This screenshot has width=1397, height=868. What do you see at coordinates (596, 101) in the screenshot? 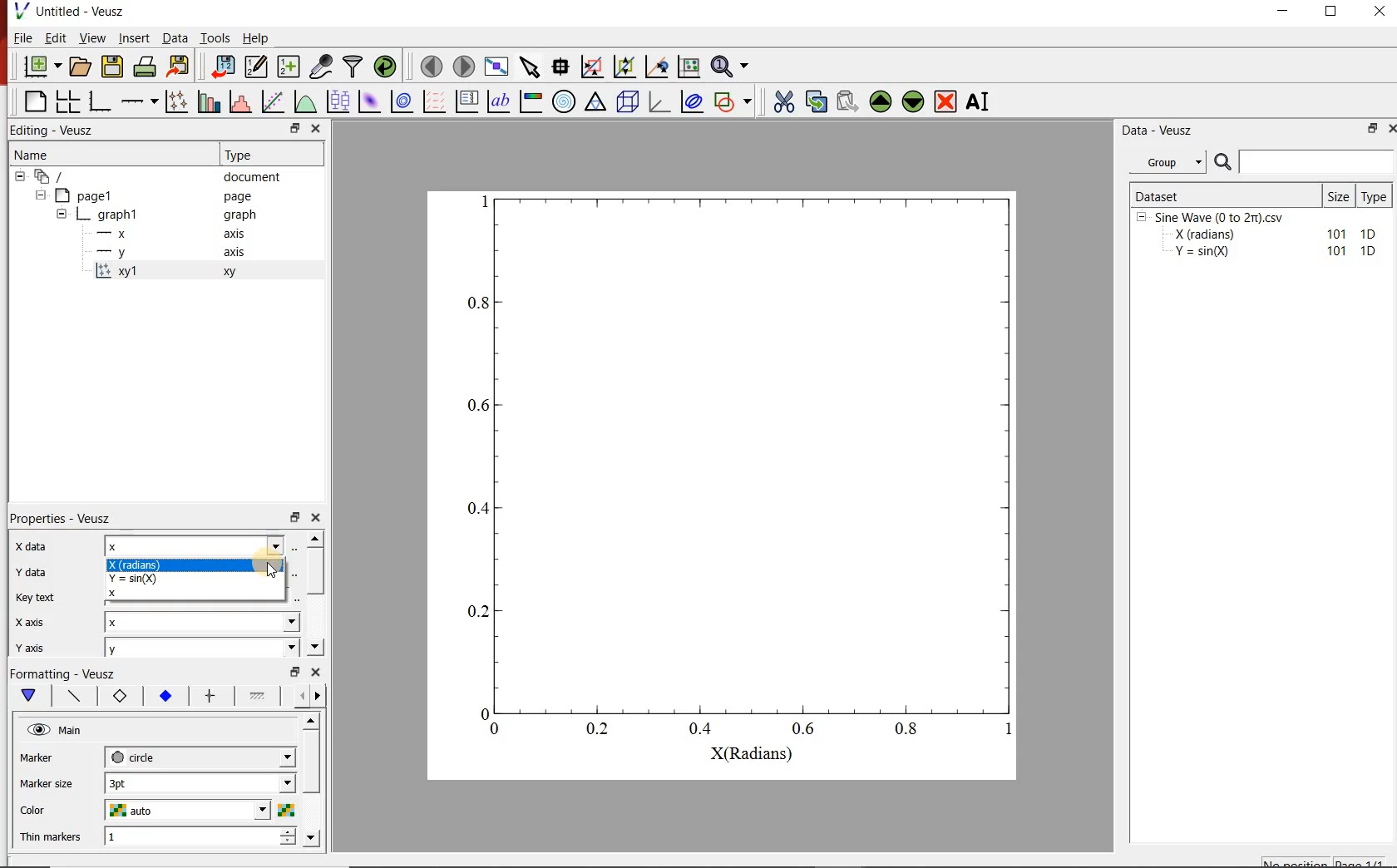
I see `Ternary Graph` at bounding box center [596, 101].